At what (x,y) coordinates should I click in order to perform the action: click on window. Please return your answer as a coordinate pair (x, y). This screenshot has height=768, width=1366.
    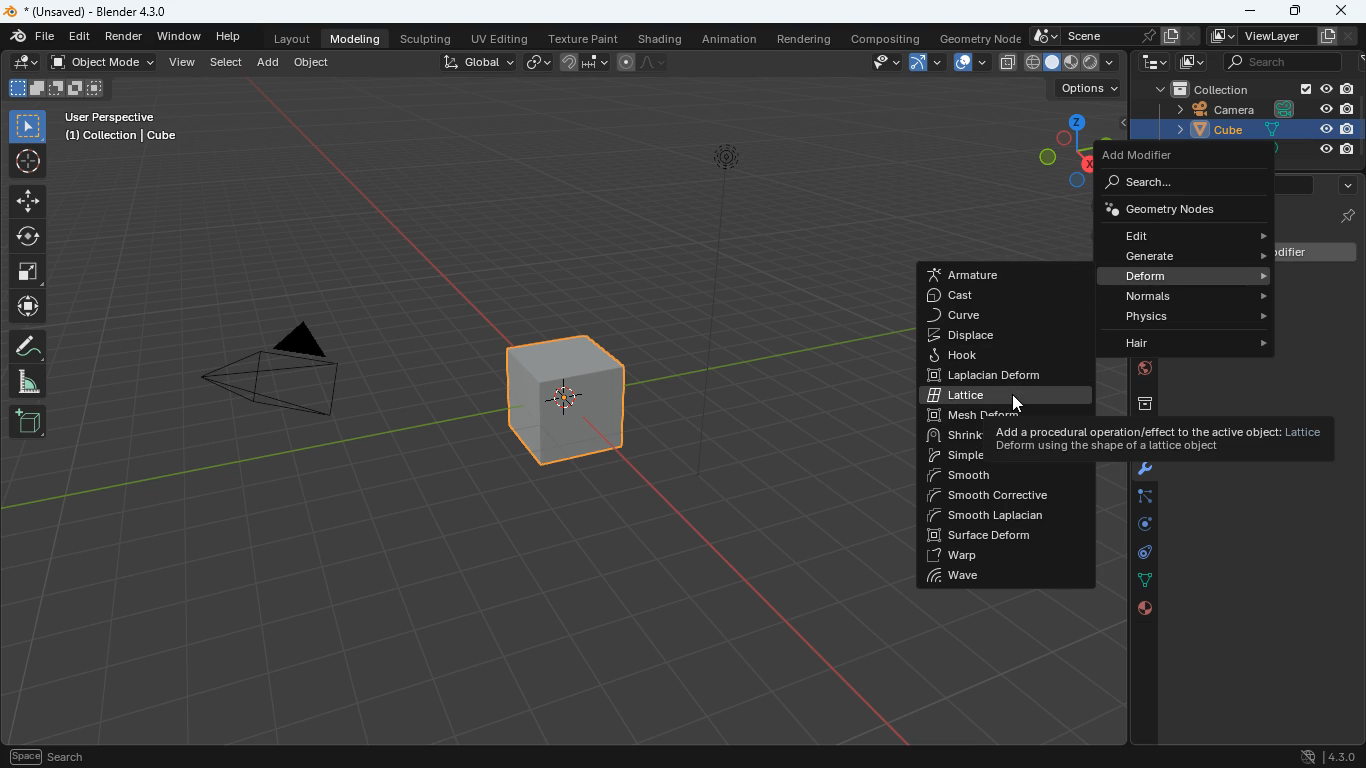
    Looking at the image, I should click on (180, 36).